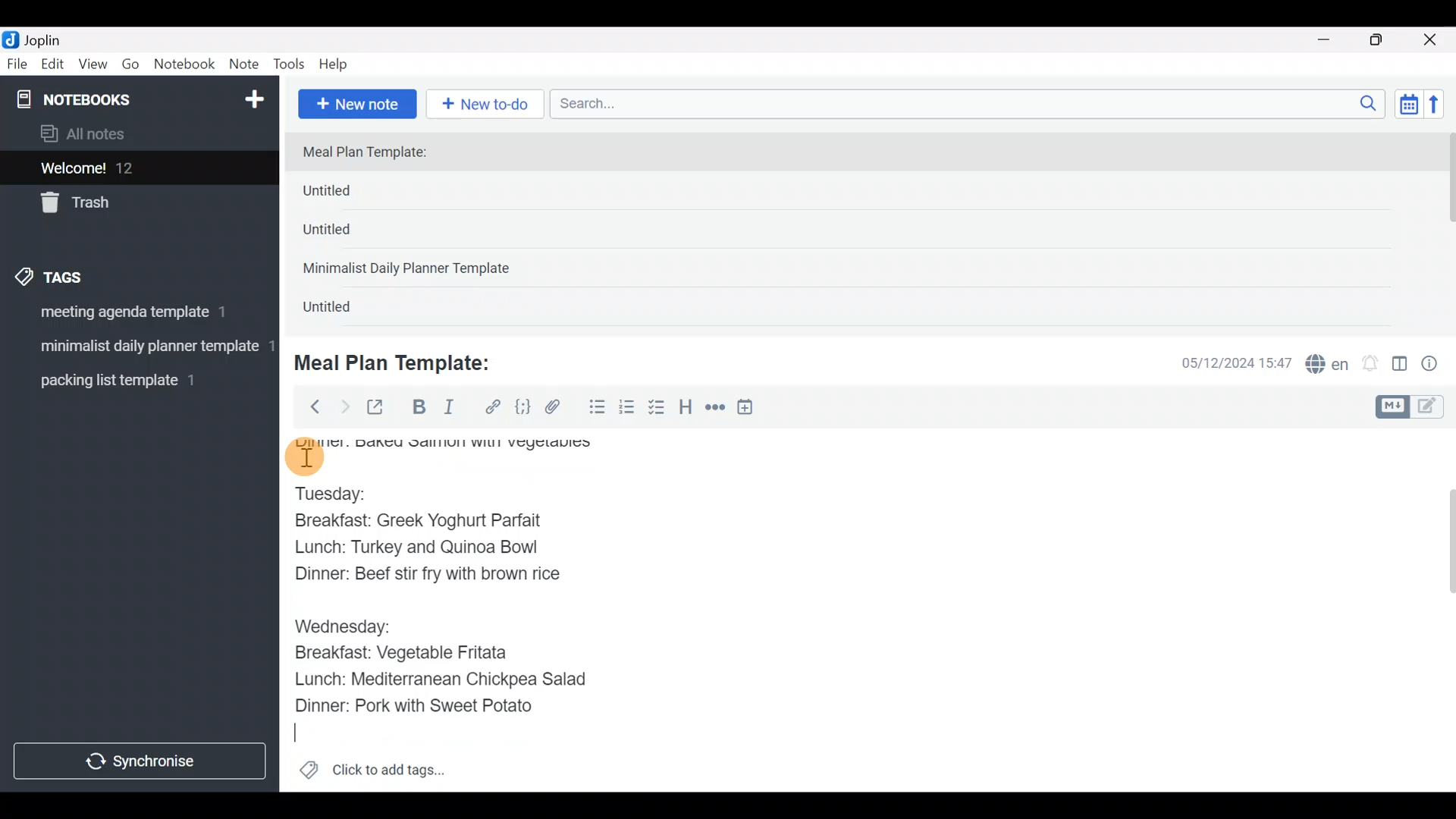  What do you see at coordinates (347, 627) in the screenshot?
I see `Wednesday:` at bounding box center [347, 627].